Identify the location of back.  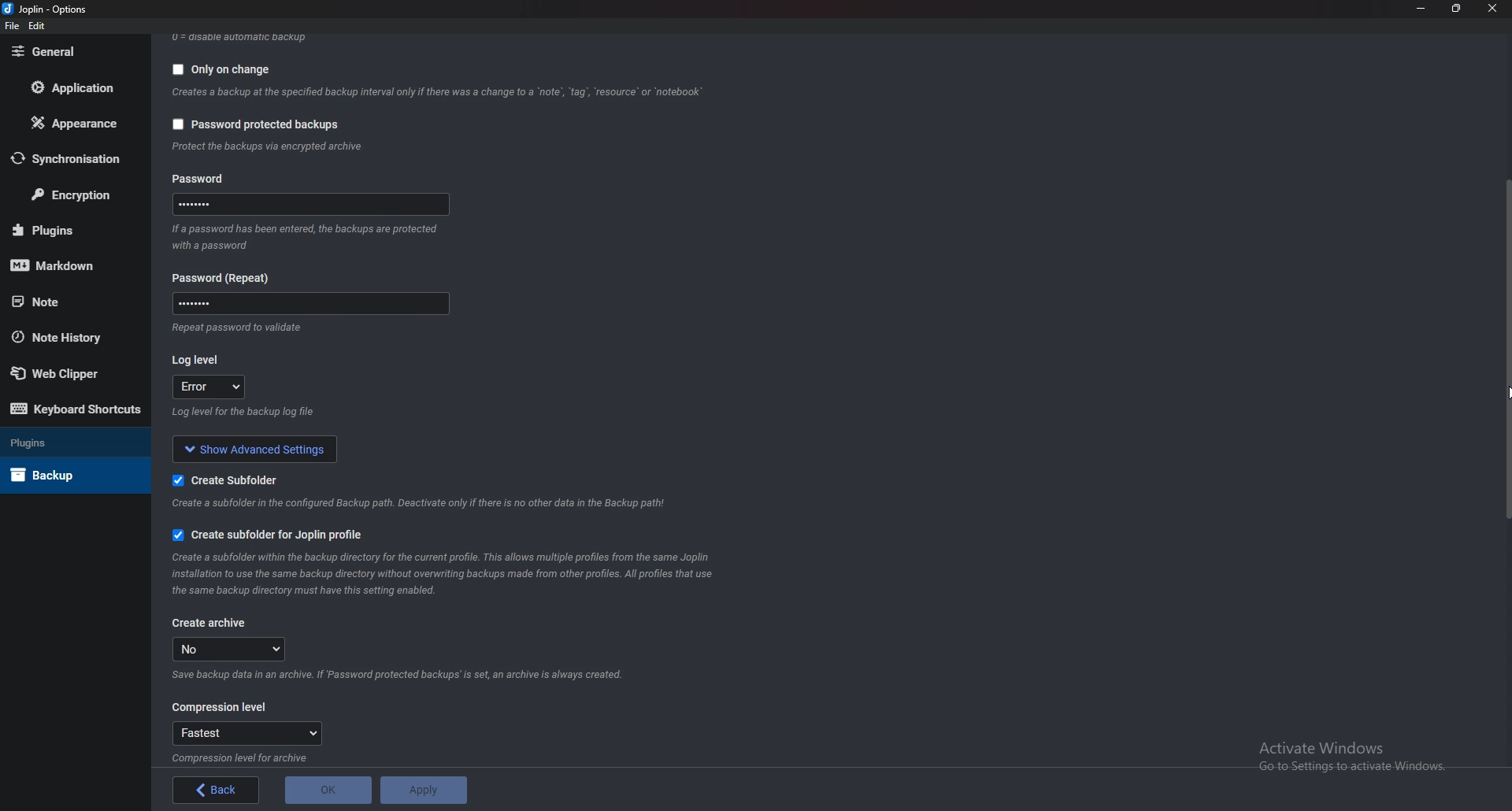
(219, 789).